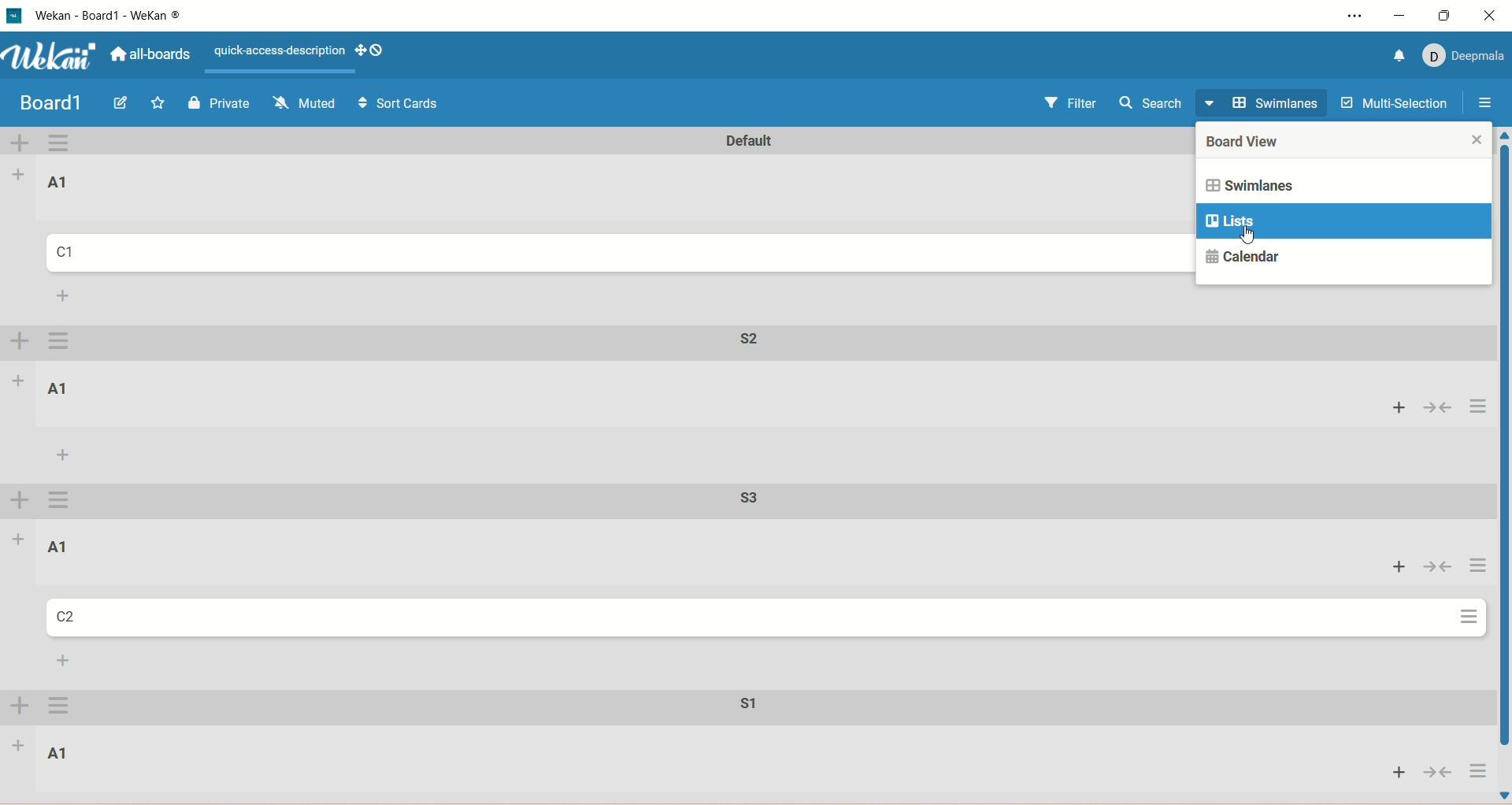 The width and height of the screenshot is (1512, 805). I want to click on add, so click(20, 380).